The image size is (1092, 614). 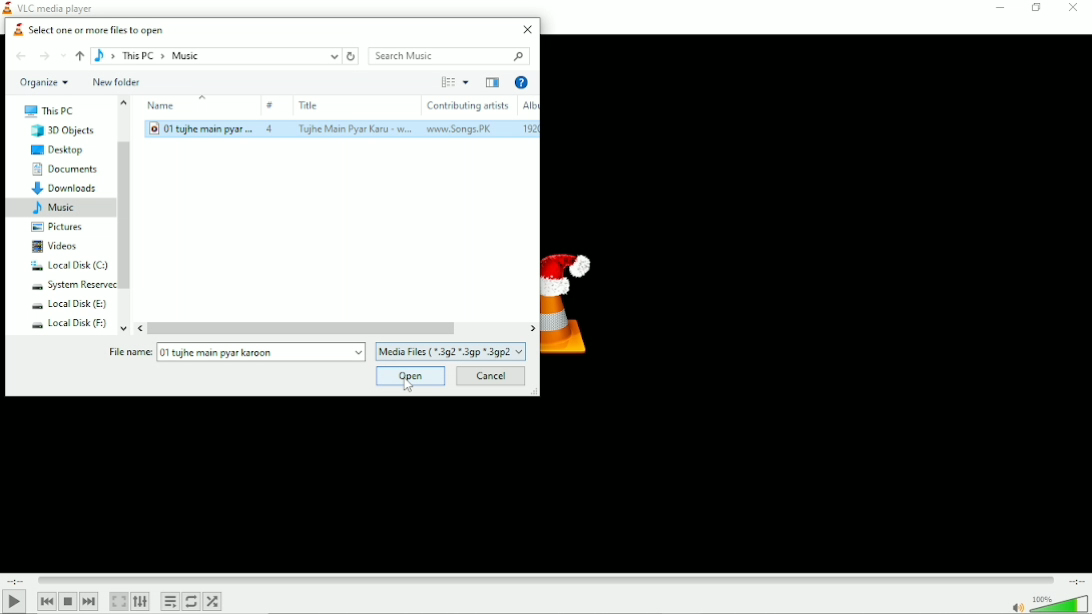 What do you see at coordinates (88, 29) in the screenshot?
I see `Select one or more files to open` at bounding box center [88, 29].